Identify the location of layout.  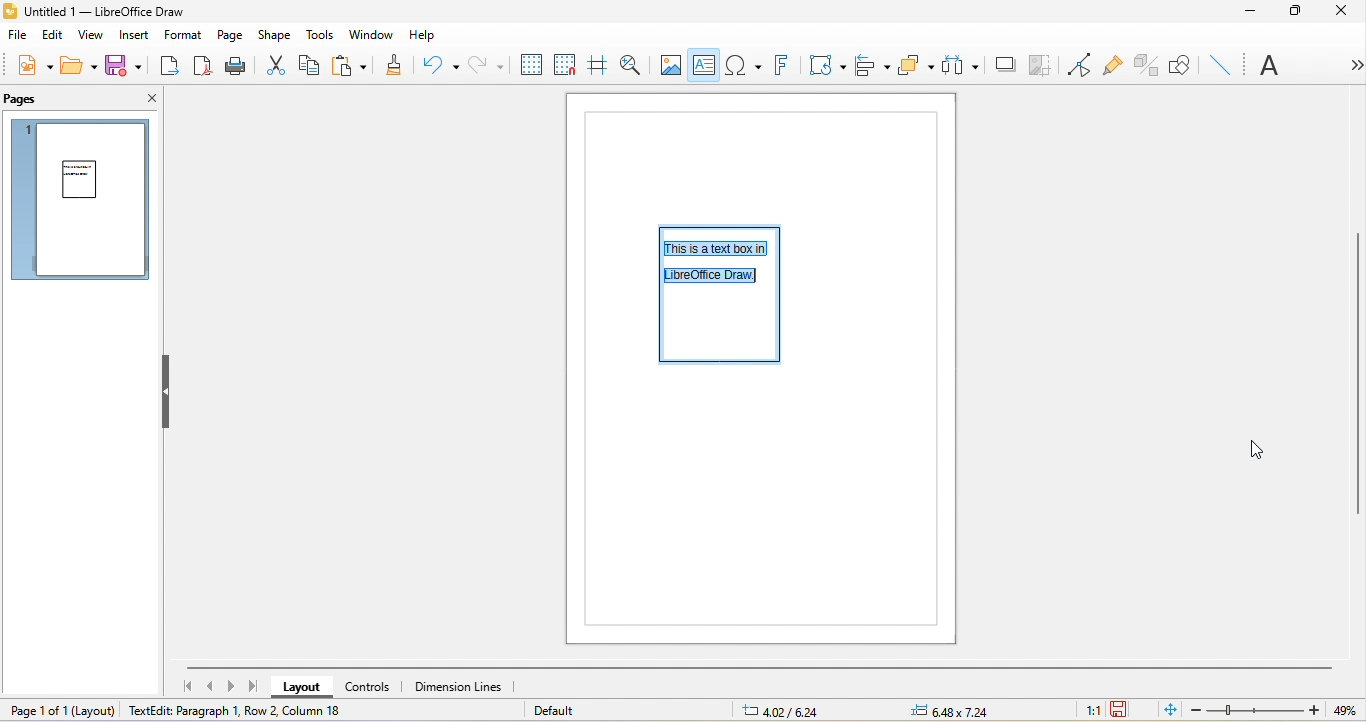
(306, 688).